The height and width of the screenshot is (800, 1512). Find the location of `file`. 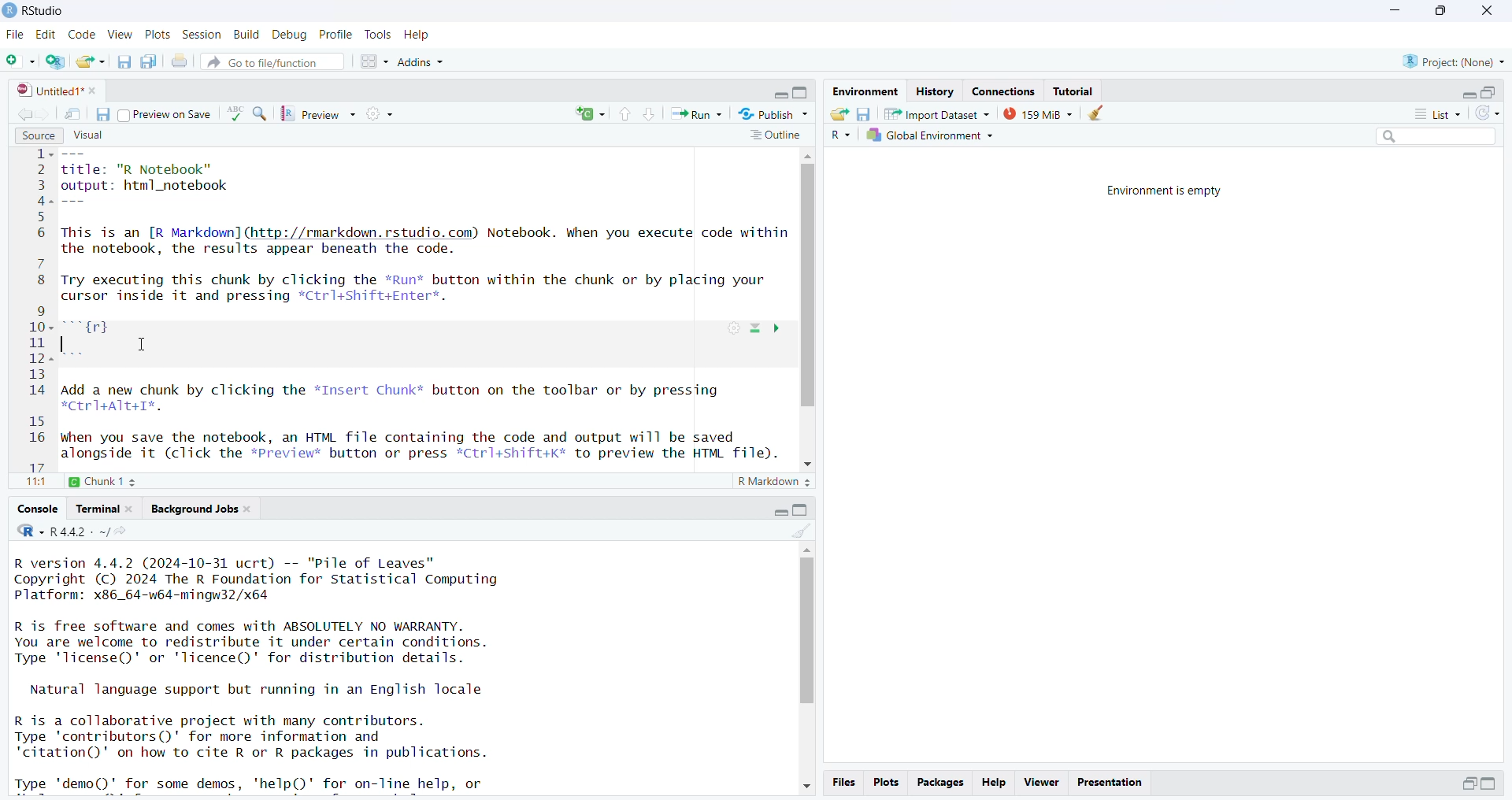

file is located at coordinates (17, 35).